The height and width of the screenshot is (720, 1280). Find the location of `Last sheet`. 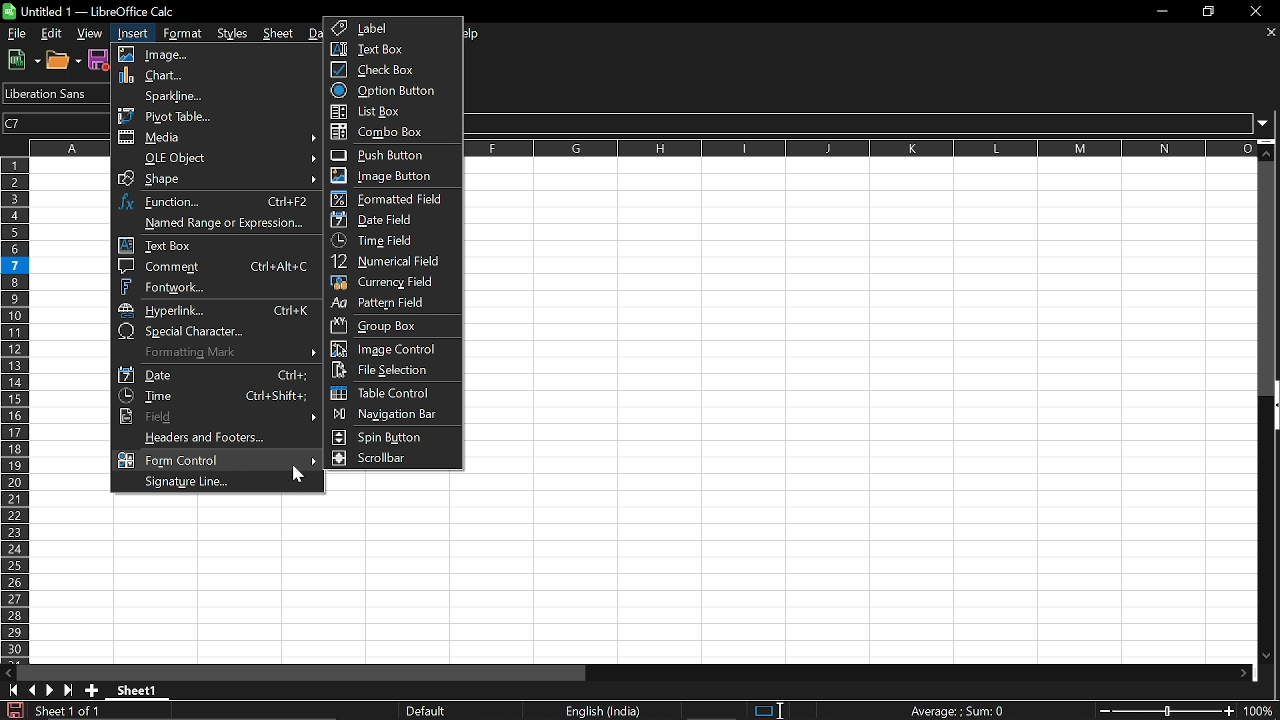

Last sheet is located at coordinates (69, 690).